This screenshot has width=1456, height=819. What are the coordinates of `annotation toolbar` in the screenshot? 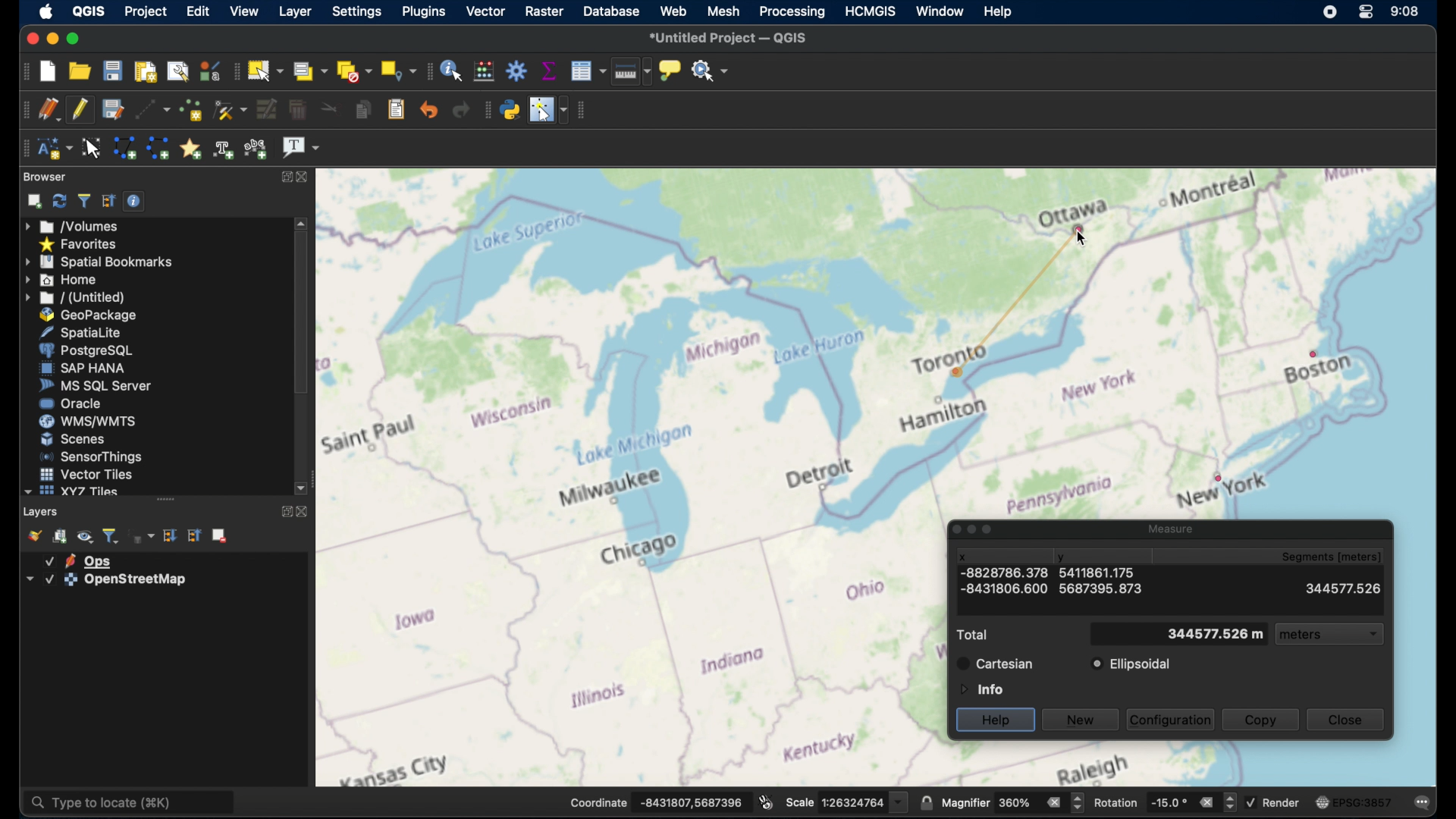 It's located at (25, 149).